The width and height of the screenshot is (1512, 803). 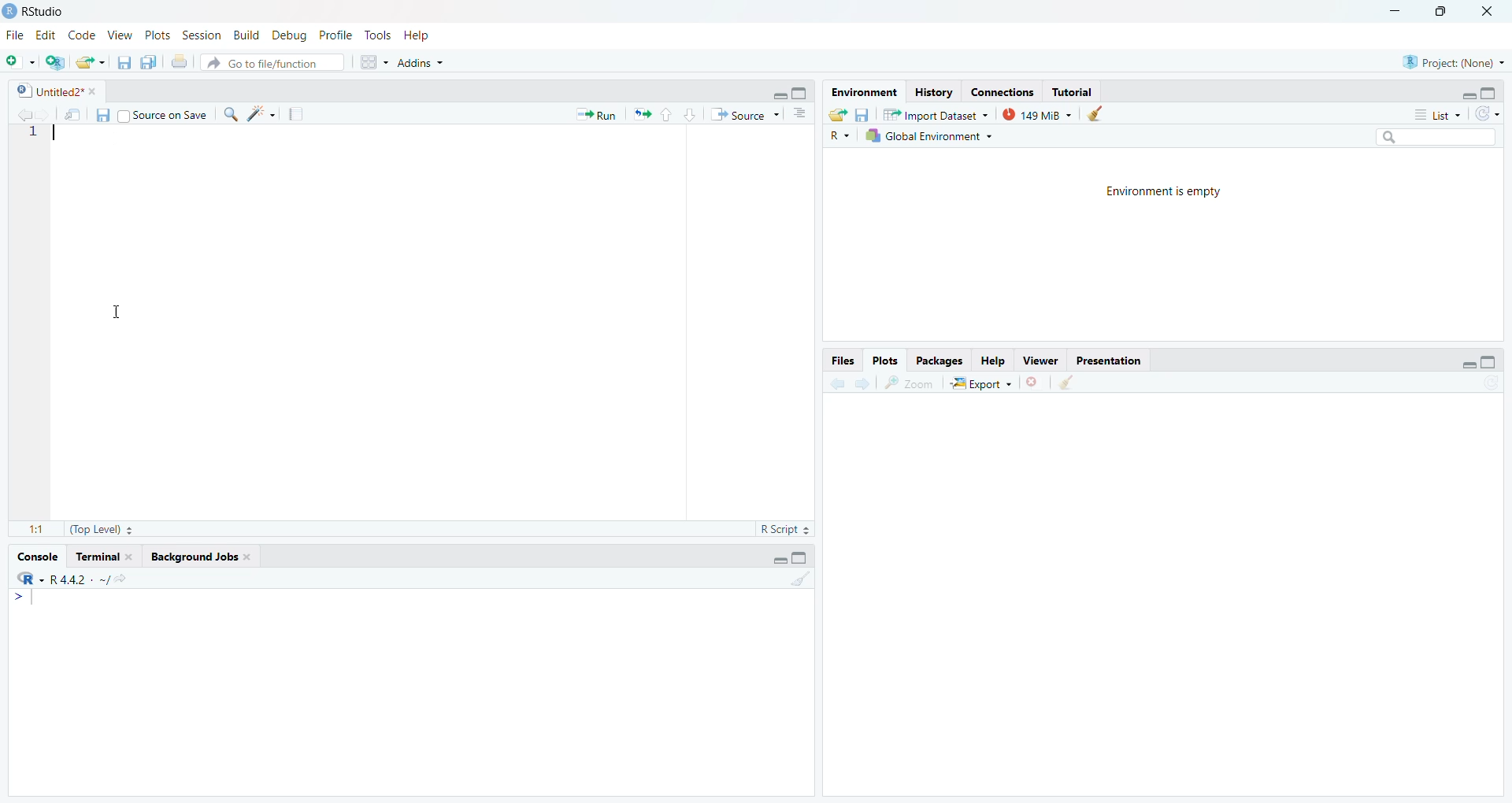 I want to click on Source the contents of the active document, so click(x=745, y=114).